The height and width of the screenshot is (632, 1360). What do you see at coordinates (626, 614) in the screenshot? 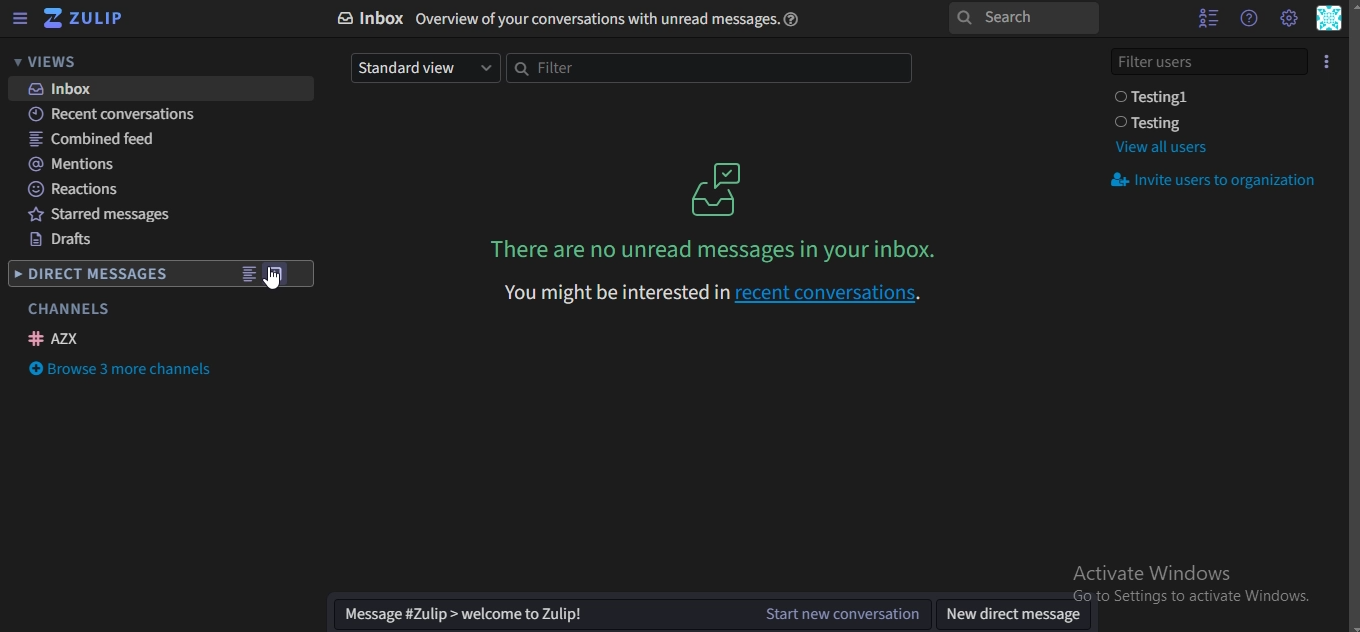
I see `start new conversation` at bounding box center [626, 614].